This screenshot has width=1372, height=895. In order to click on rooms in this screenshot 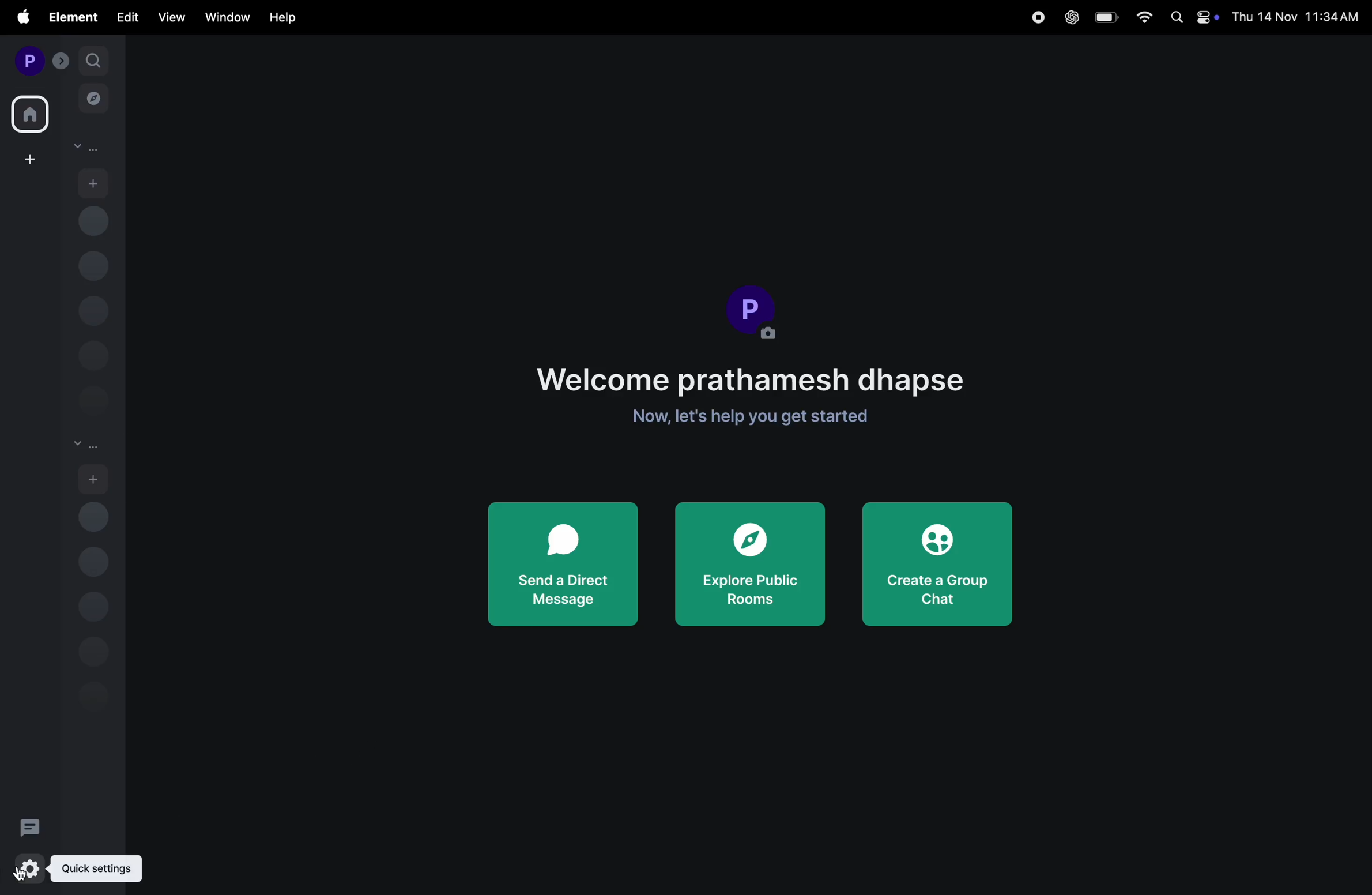, I will do `click(86, 446)`.